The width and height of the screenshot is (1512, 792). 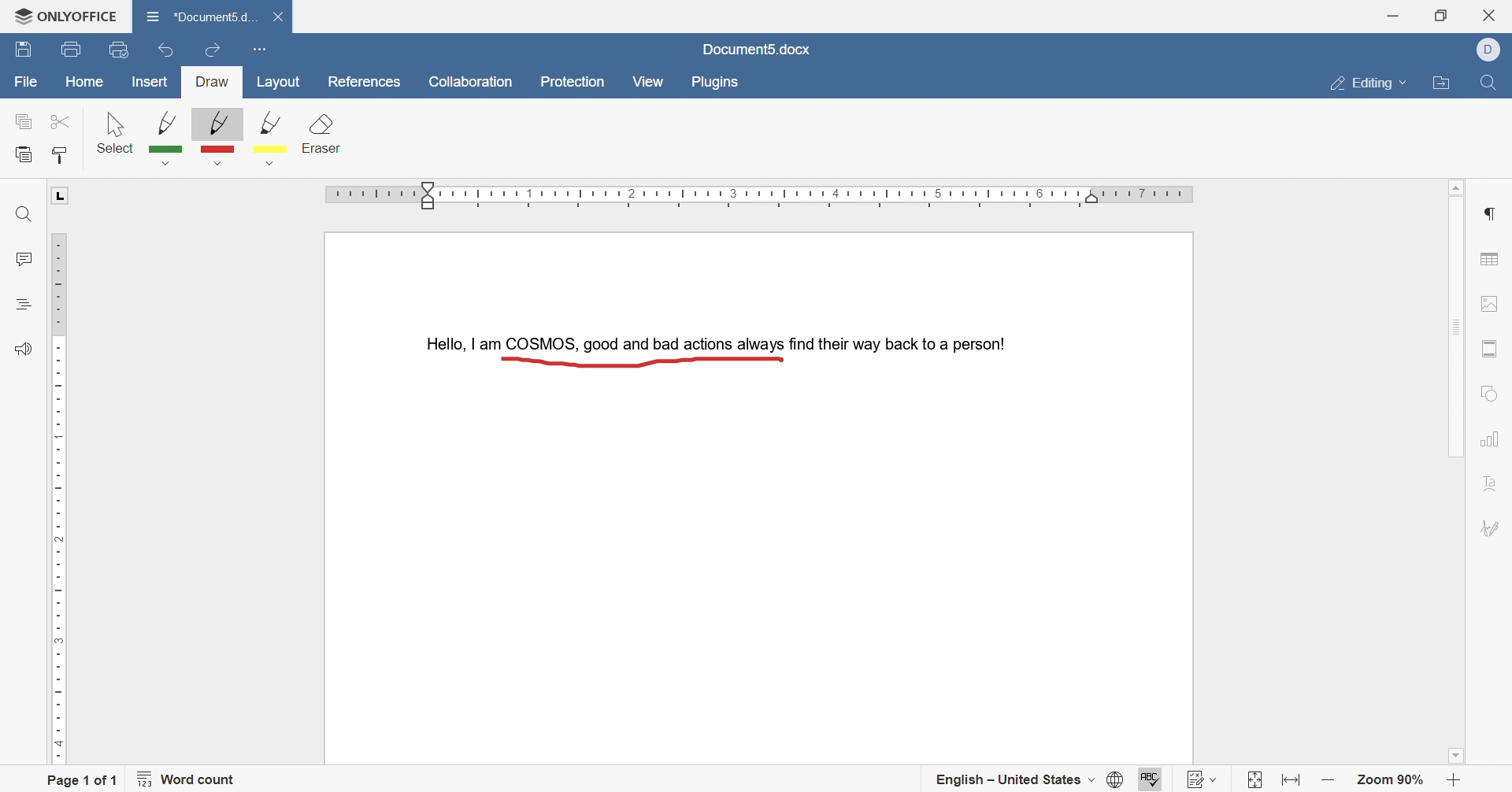 What do you see at coordinates (1293, 783) in the screenshot?
I see `fit to width` at bounding box center [1293, 783].